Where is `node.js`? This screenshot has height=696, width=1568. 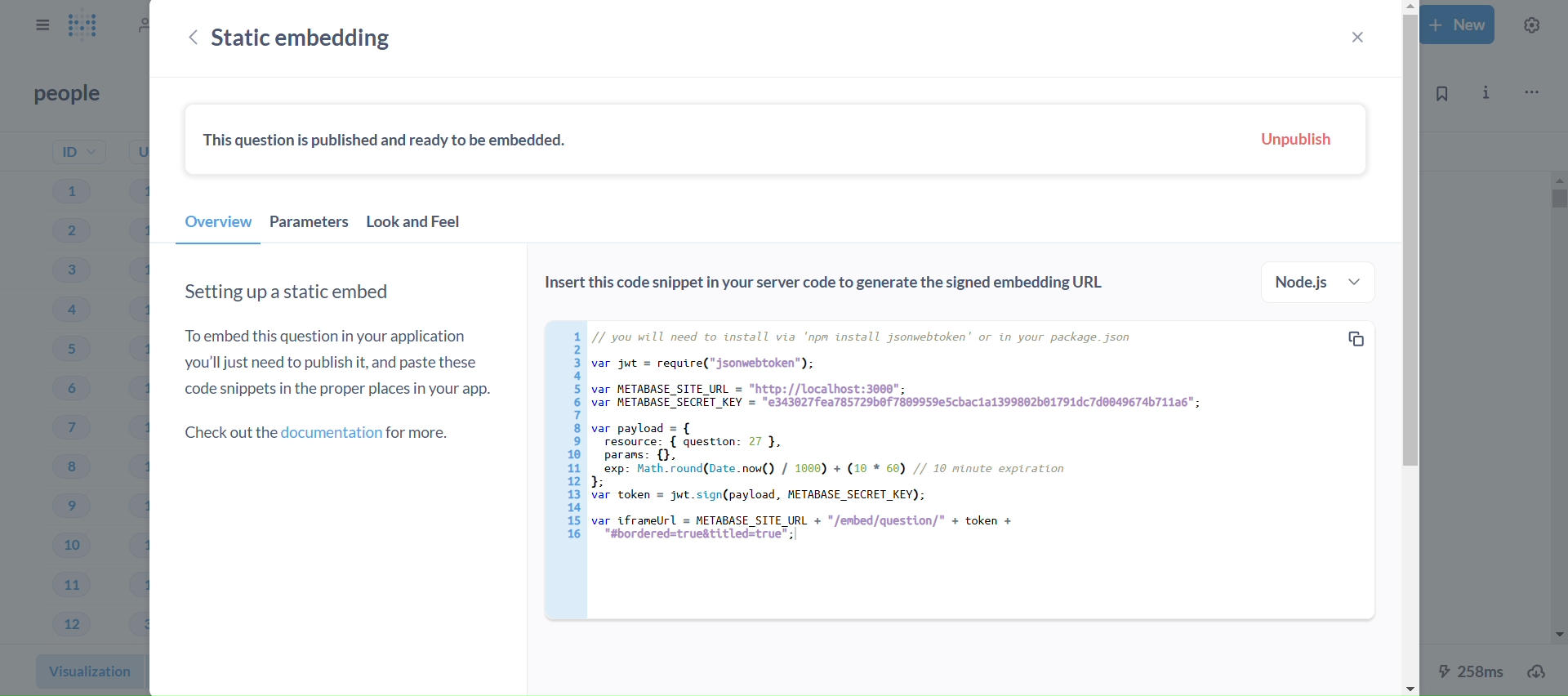 node.js is located at coordinates (1316, 282).